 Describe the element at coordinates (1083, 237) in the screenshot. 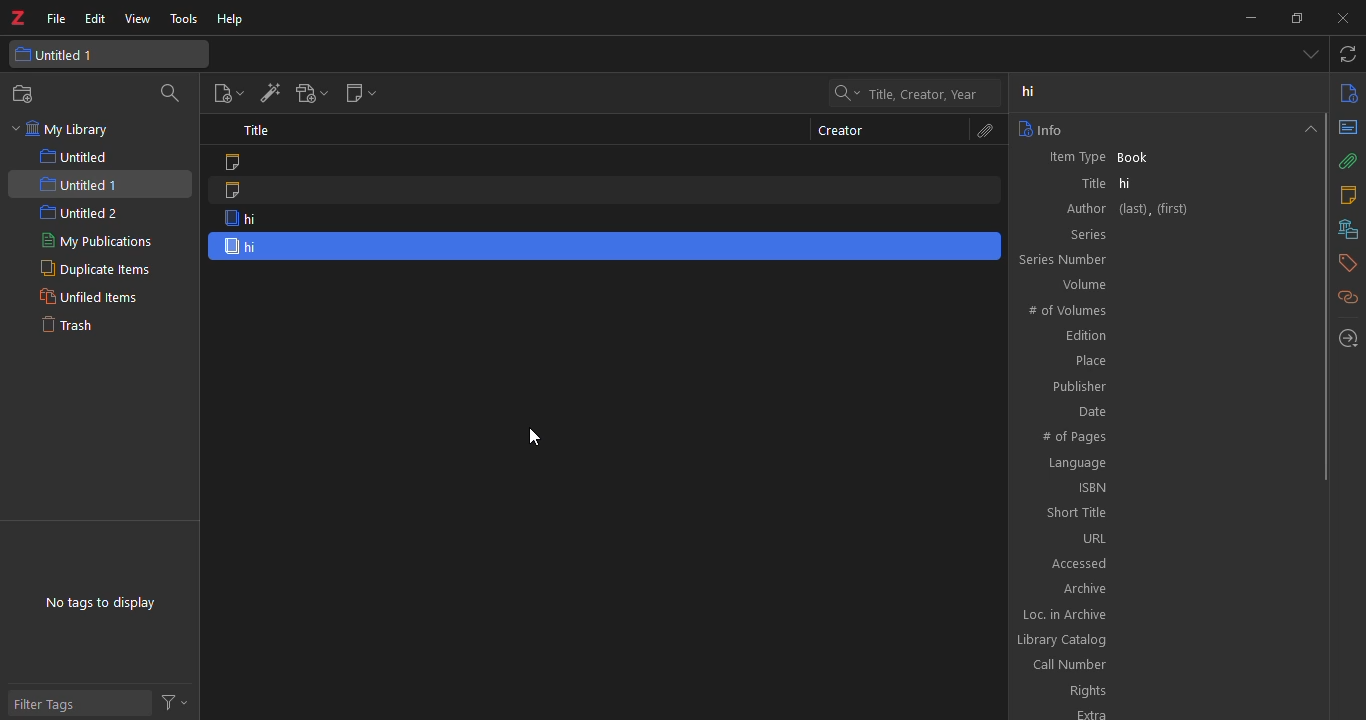

I see `series` at that location.